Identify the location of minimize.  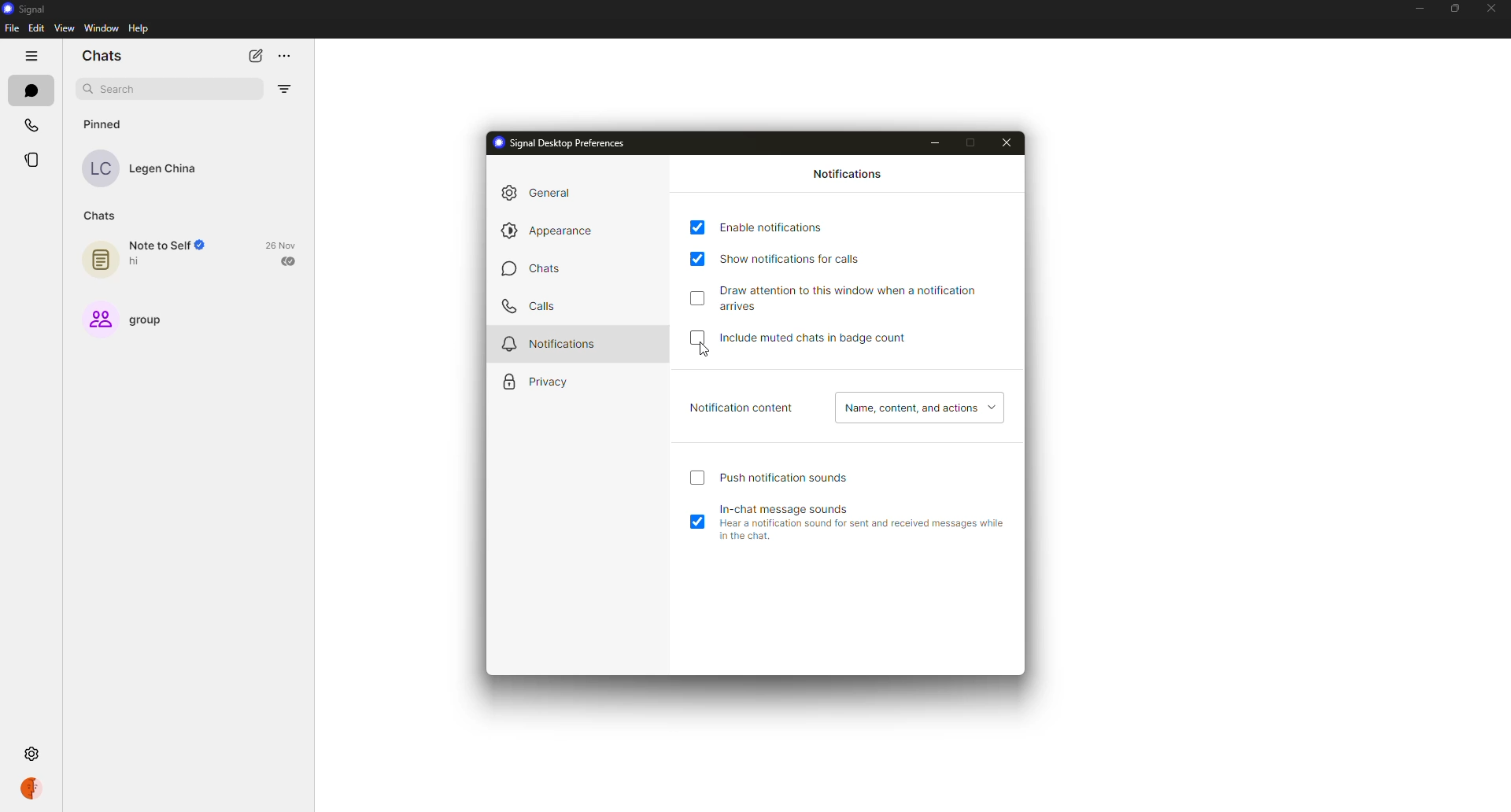
(1417, 9).